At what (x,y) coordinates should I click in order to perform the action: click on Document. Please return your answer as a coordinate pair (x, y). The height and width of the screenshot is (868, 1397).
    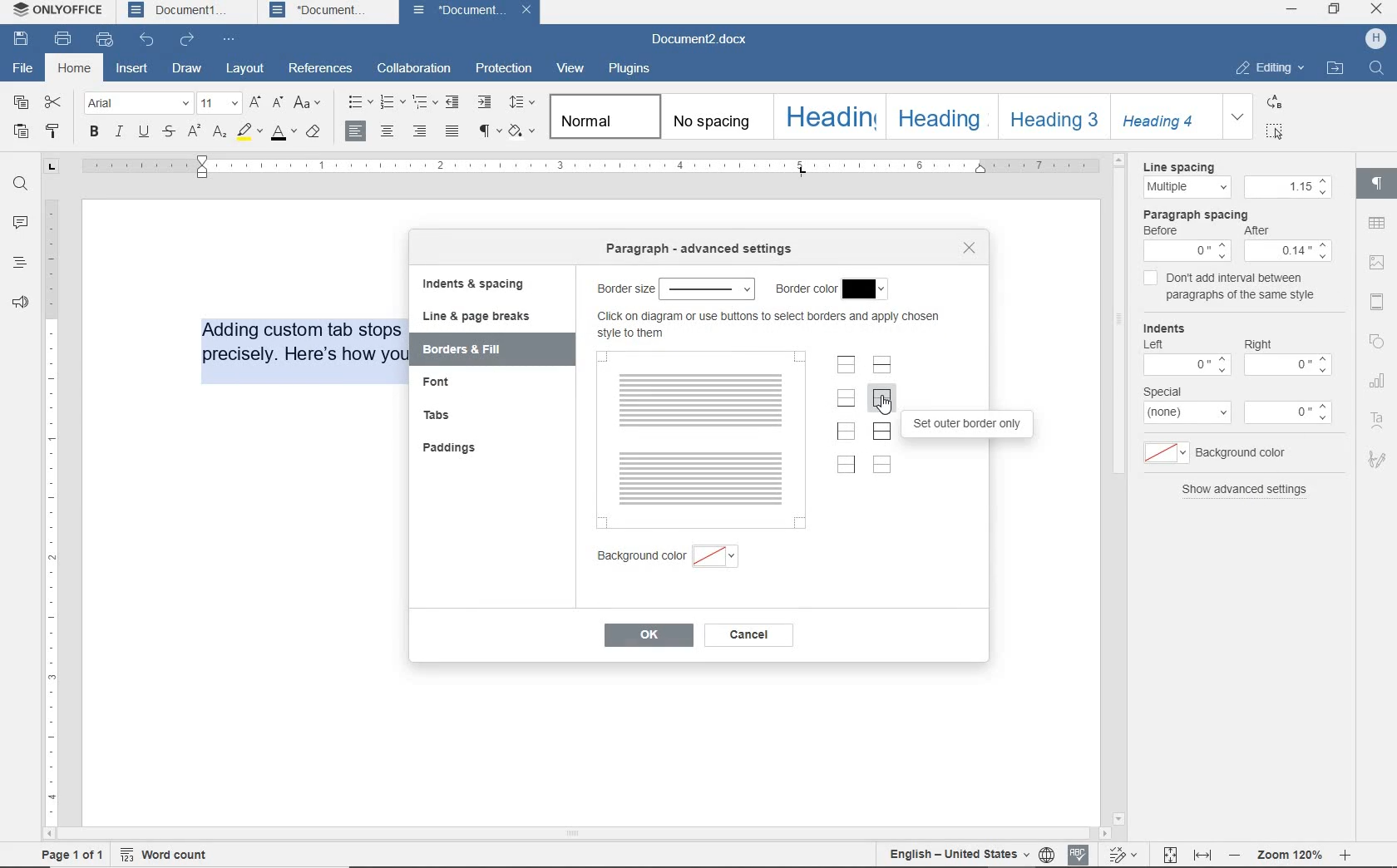
    Looking at the image, I should click on (456, 11).